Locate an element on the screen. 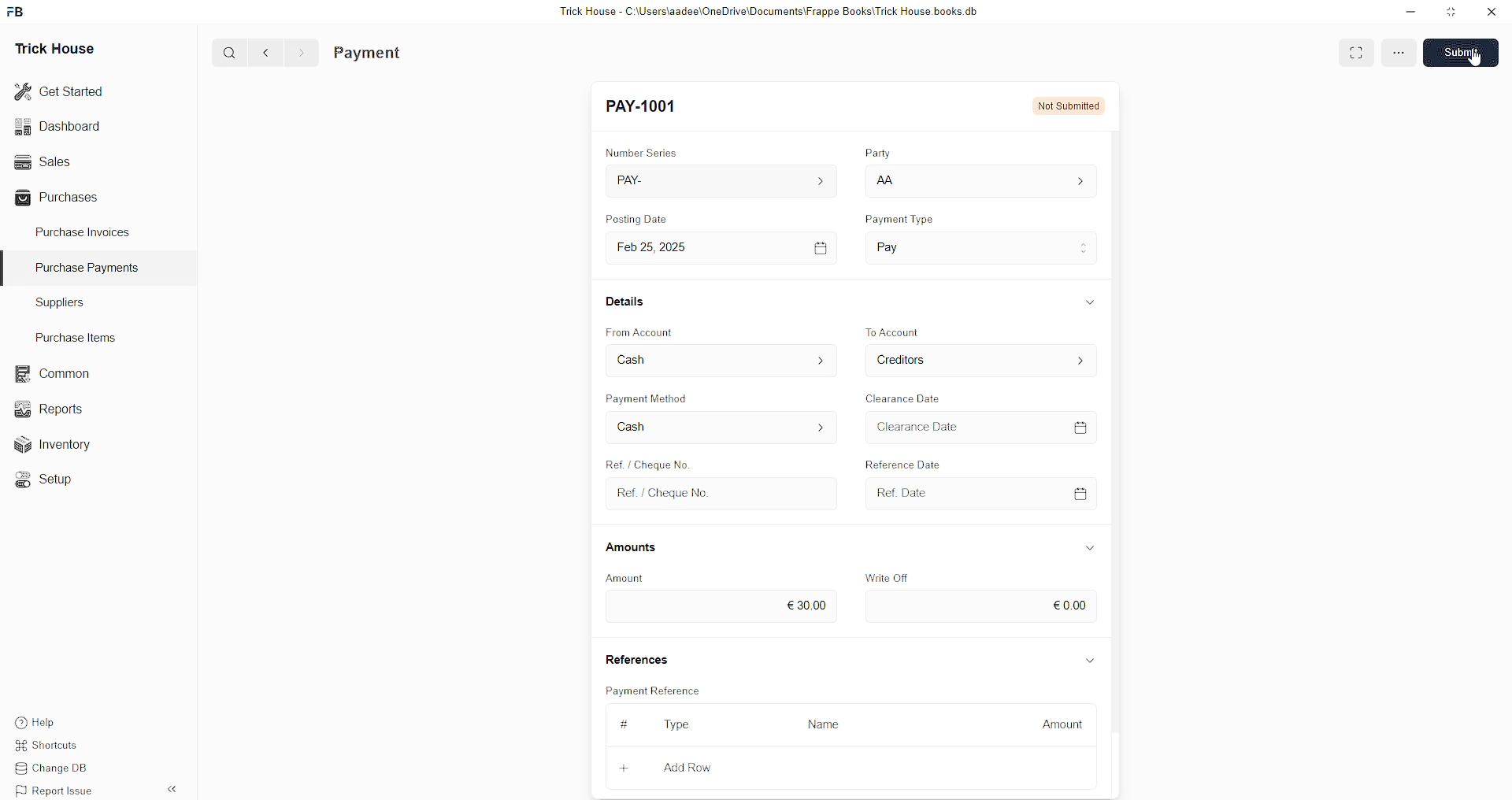  Suppliers is located at coordinates (54, 302).